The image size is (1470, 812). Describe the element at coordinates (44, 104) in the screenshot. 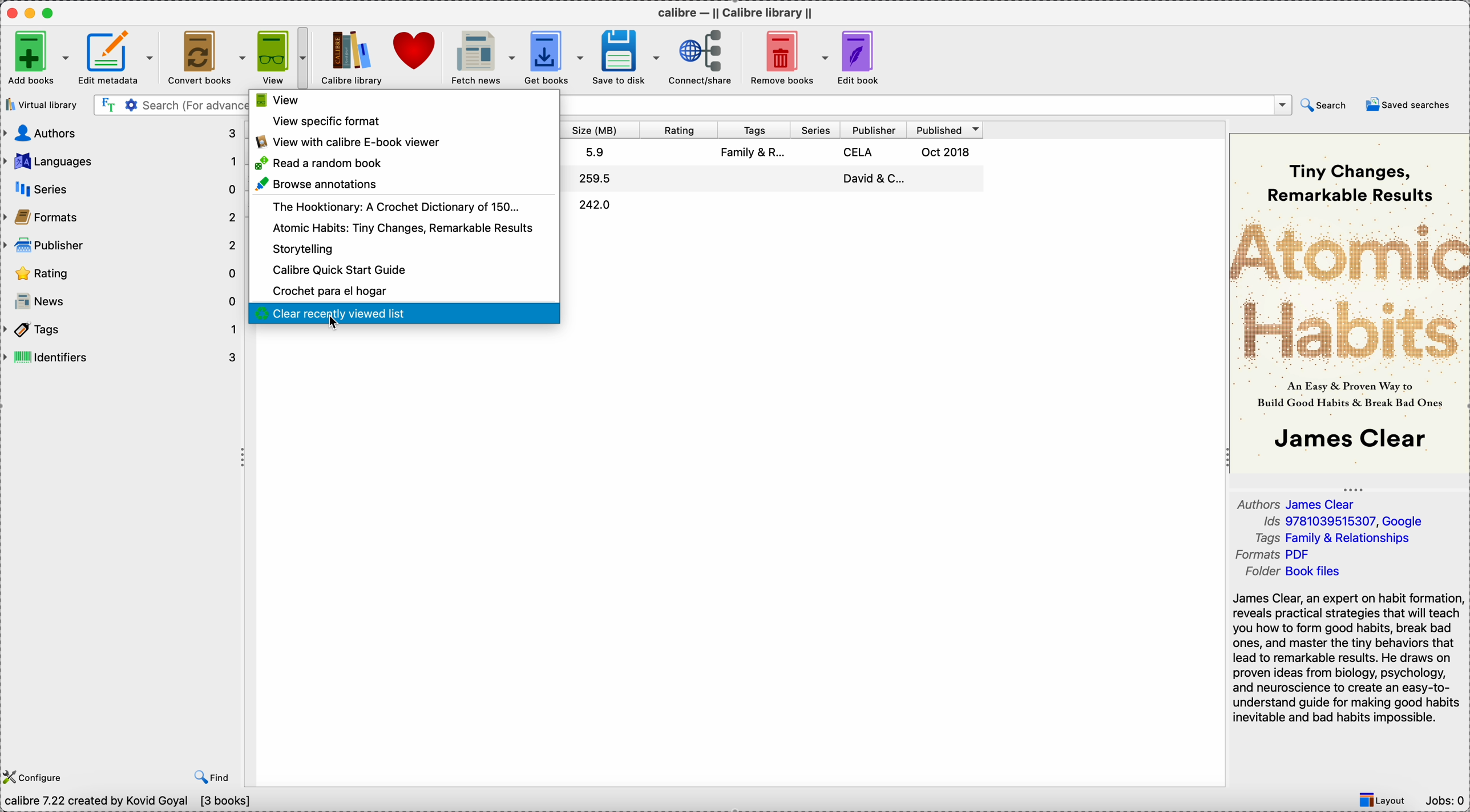

I see `virtual library` at that location.